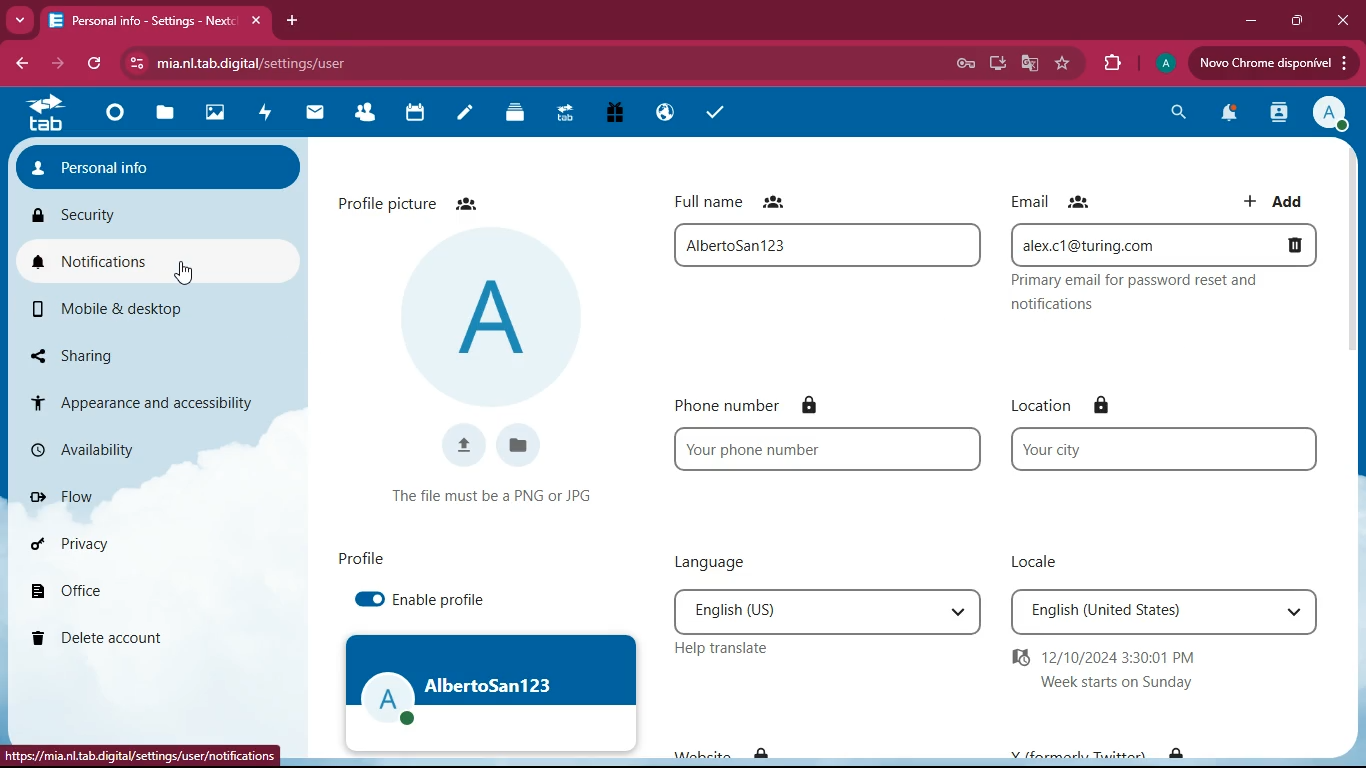 The width and height of the screenshot is (1366, 768). I want to click on activity, so click(1279, 116).